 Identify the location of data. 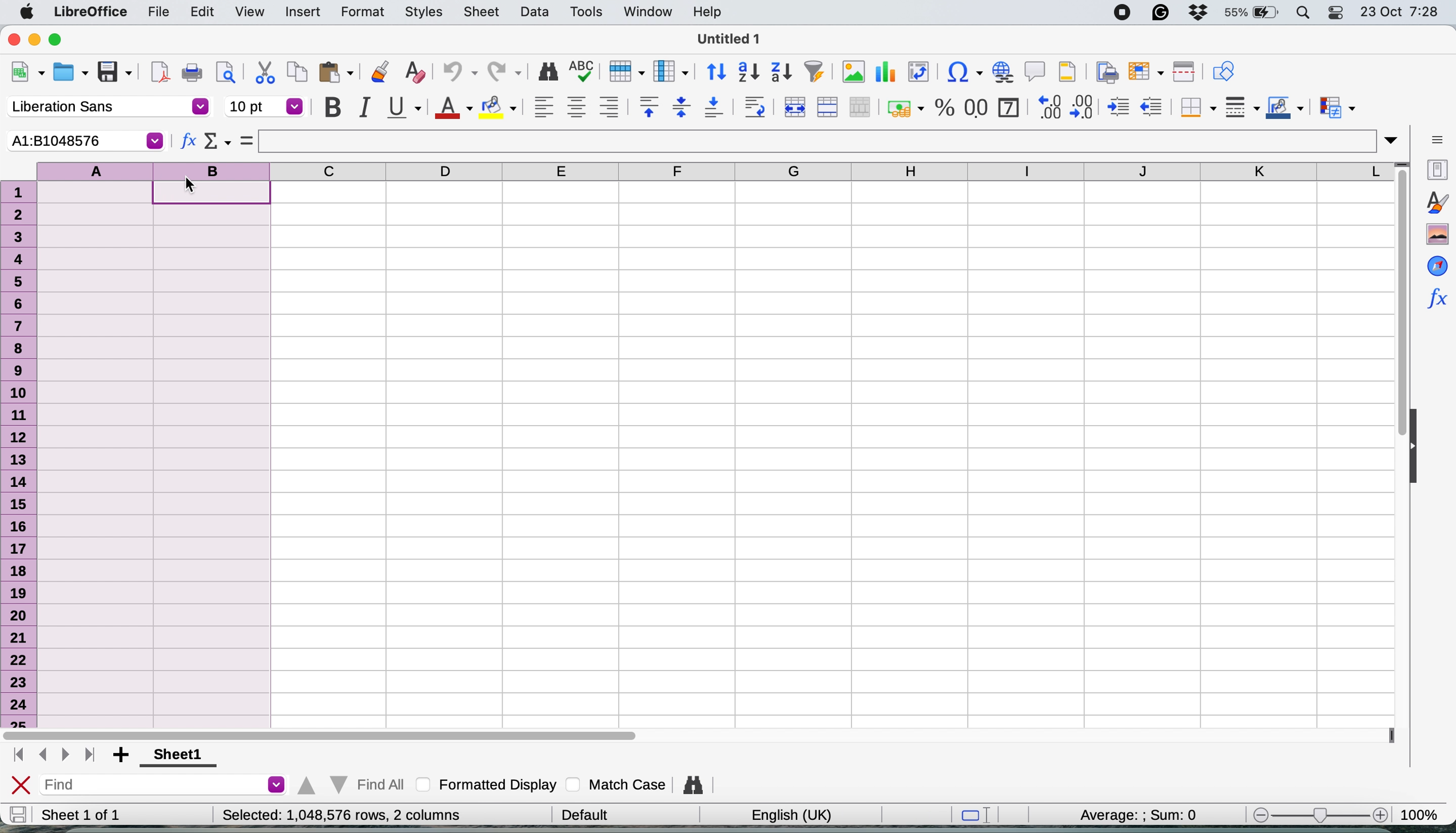
(535, 14).